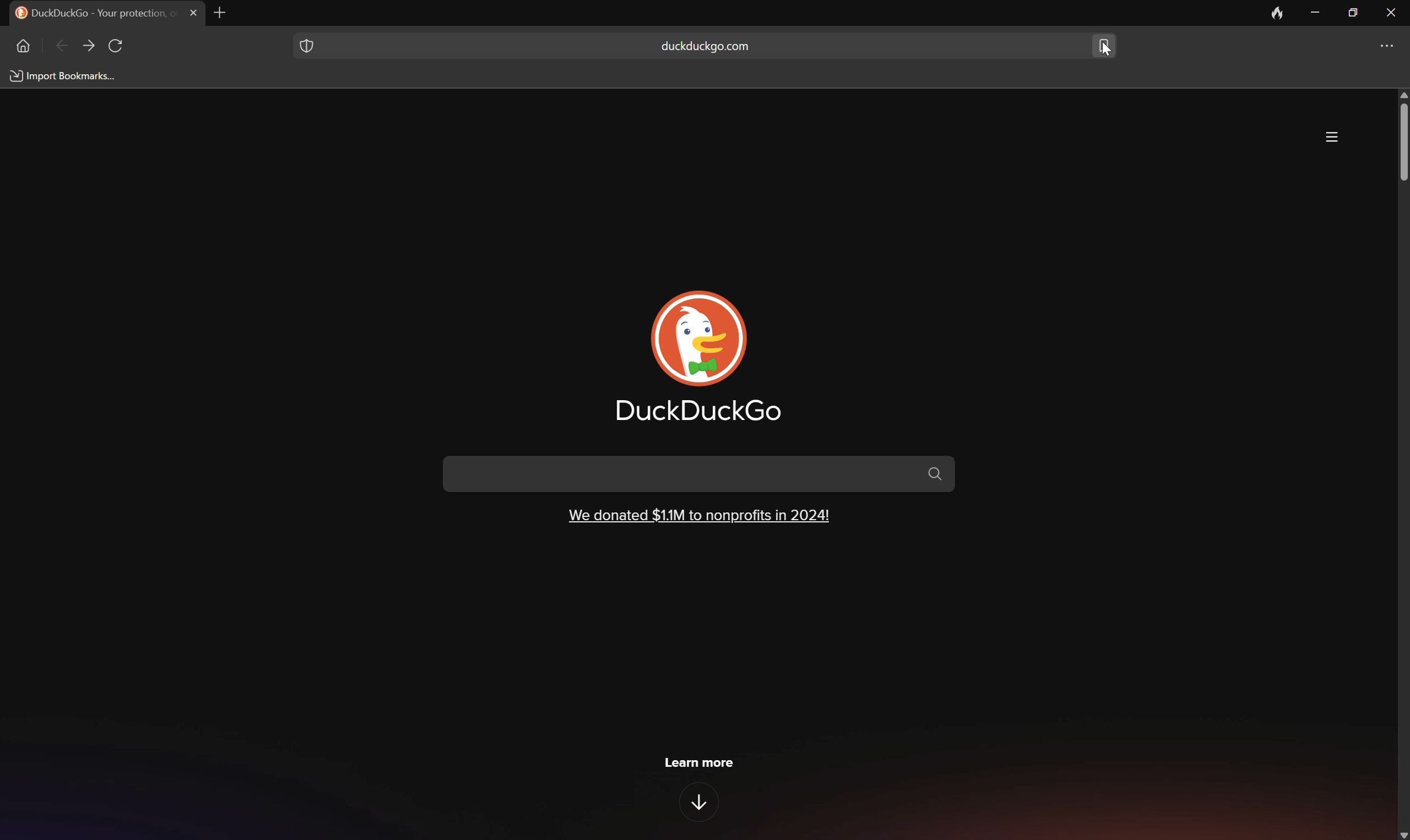  Describe the element at coordinates (1278, 12) in the screenshot. I see `Leave no trace` at that location.